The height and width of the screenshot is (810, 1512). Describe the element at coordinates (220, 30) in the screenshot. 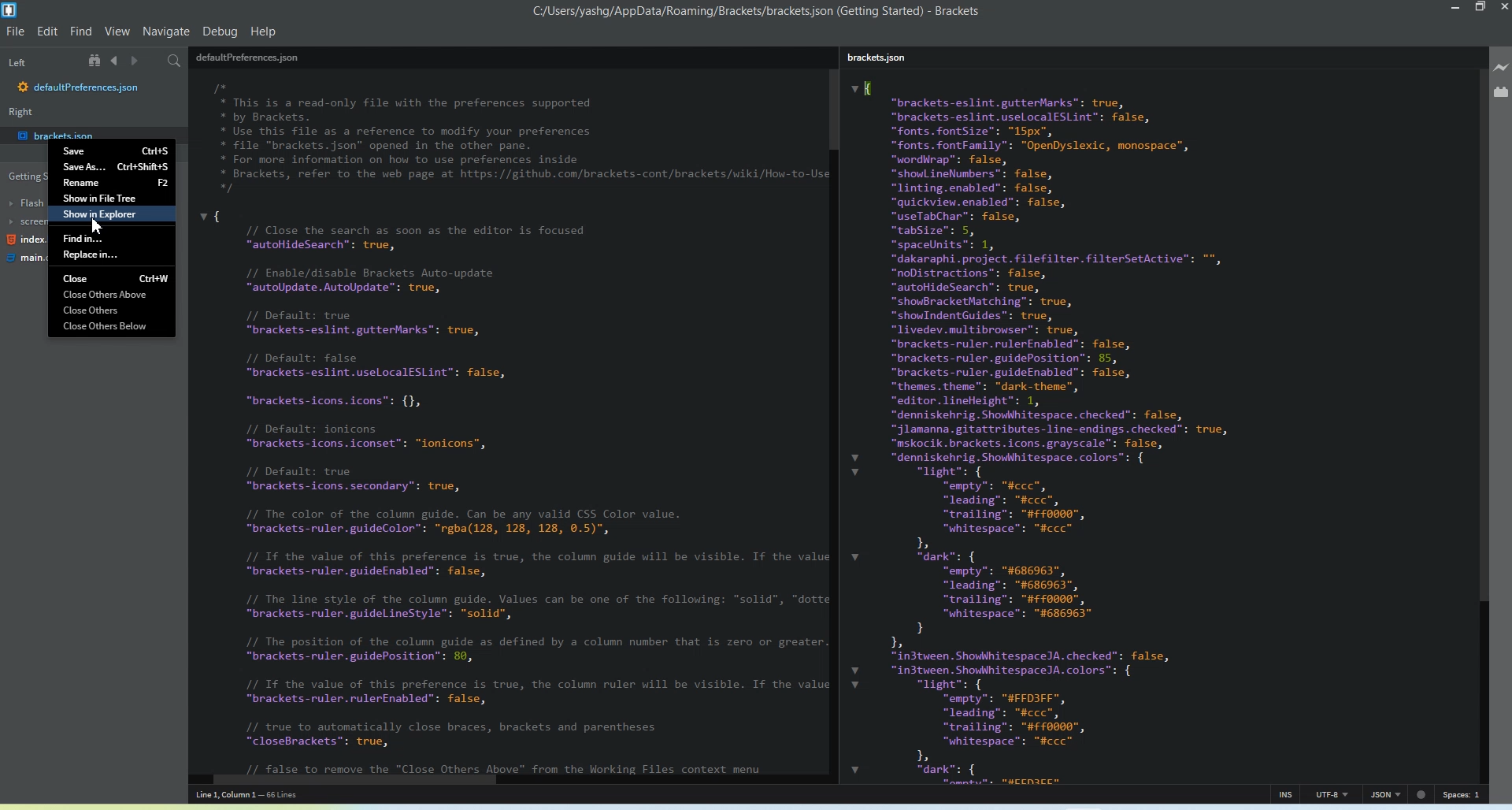

I see `Debug` at that location.